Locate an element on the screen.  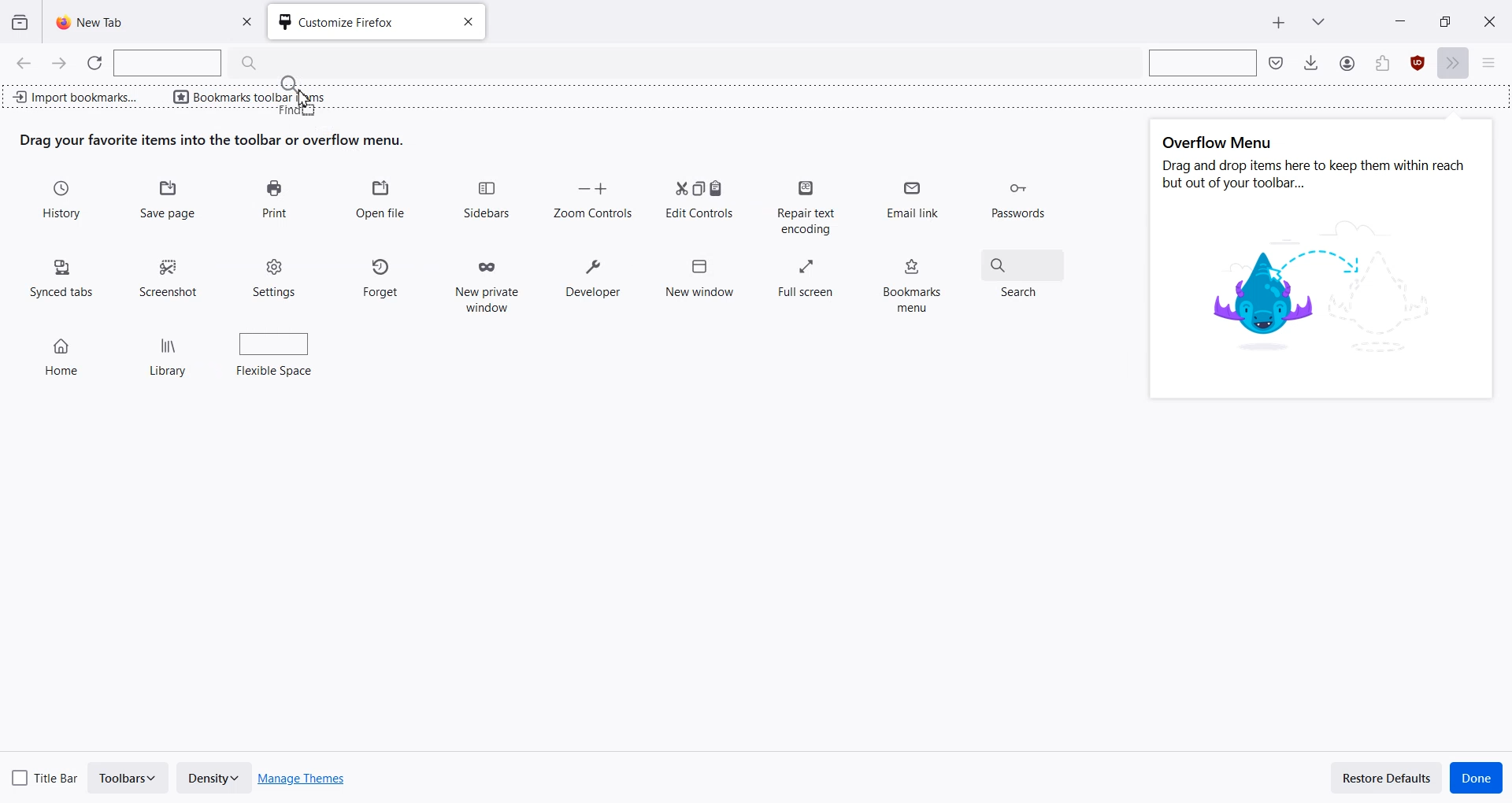
Search is located at coordinates (1025, 271).